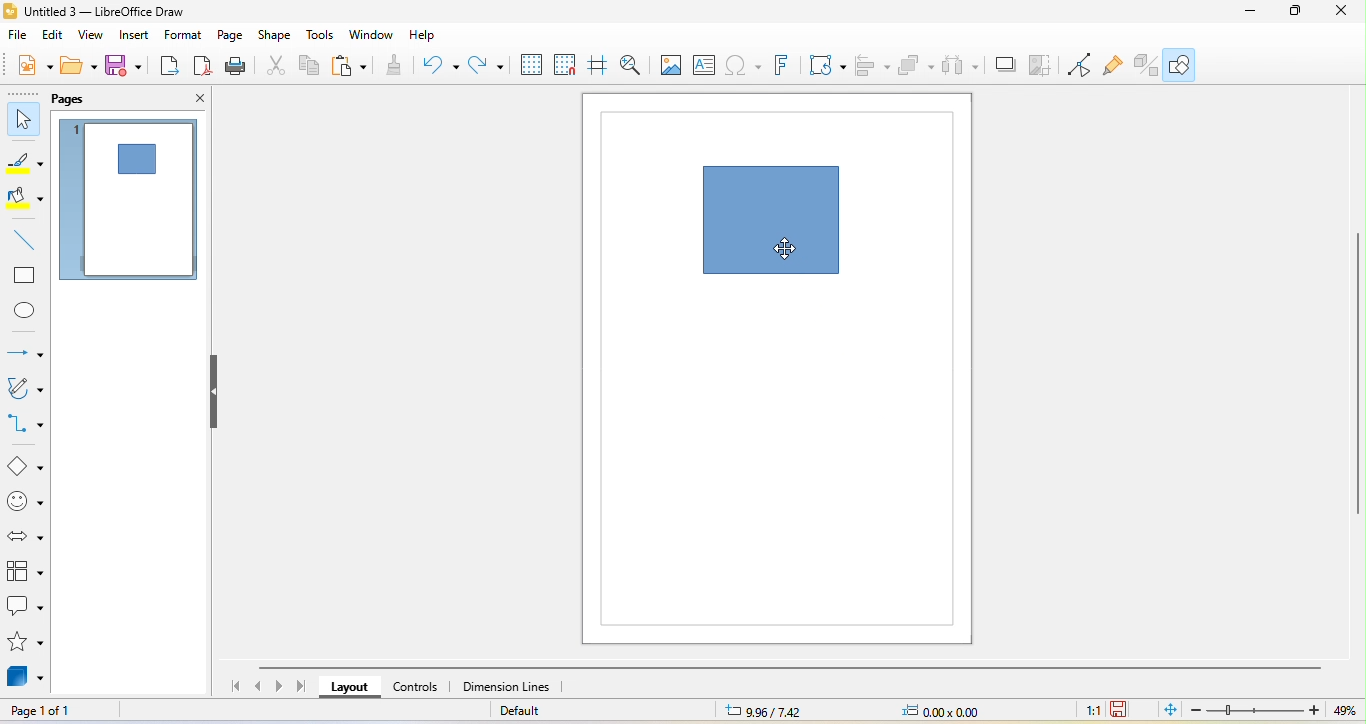  I want to click on page 1, so click(132, 202).